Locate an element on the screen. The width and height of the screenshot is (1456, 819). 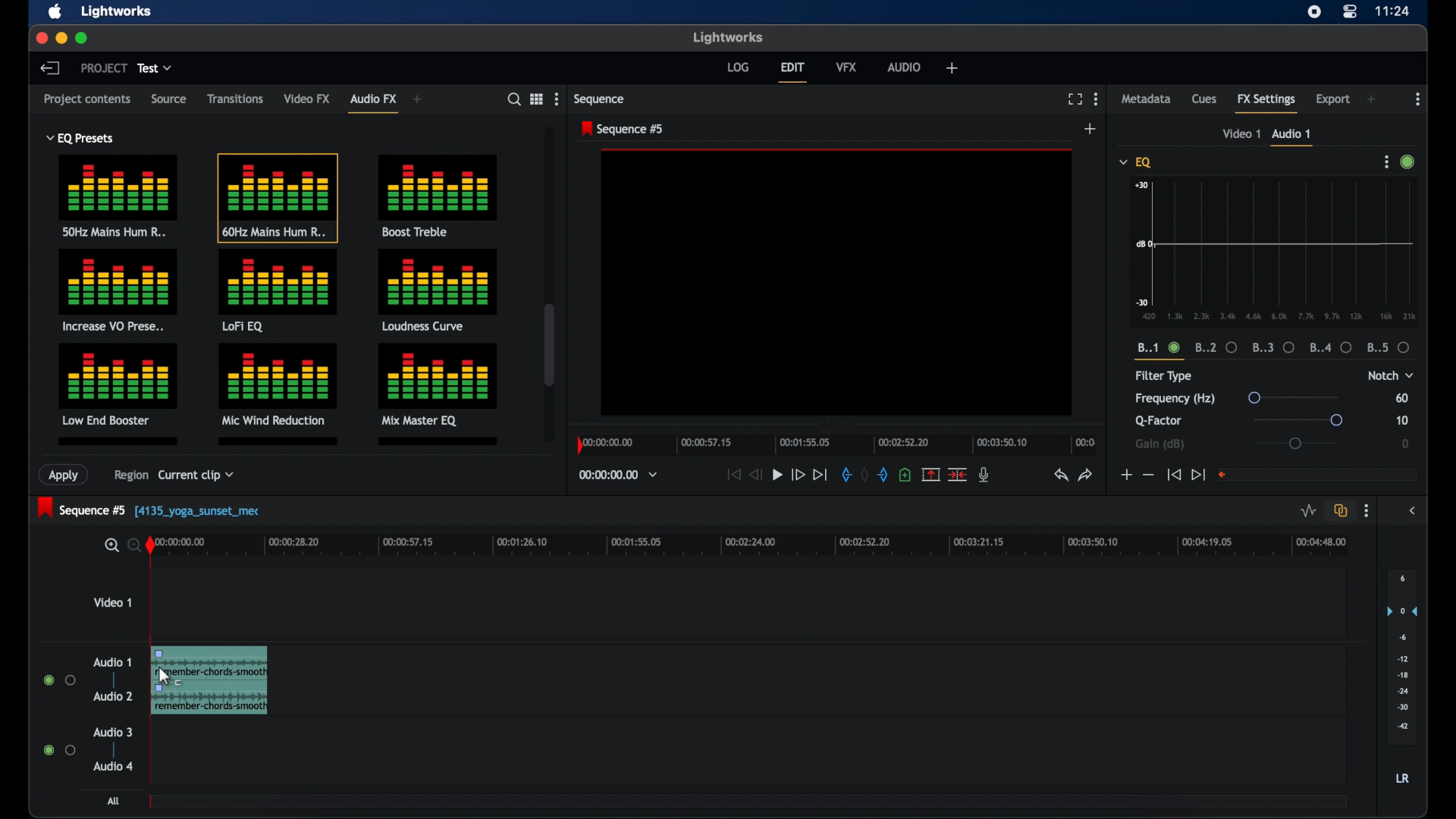
audio 1 is located at coordinates (109, 662).